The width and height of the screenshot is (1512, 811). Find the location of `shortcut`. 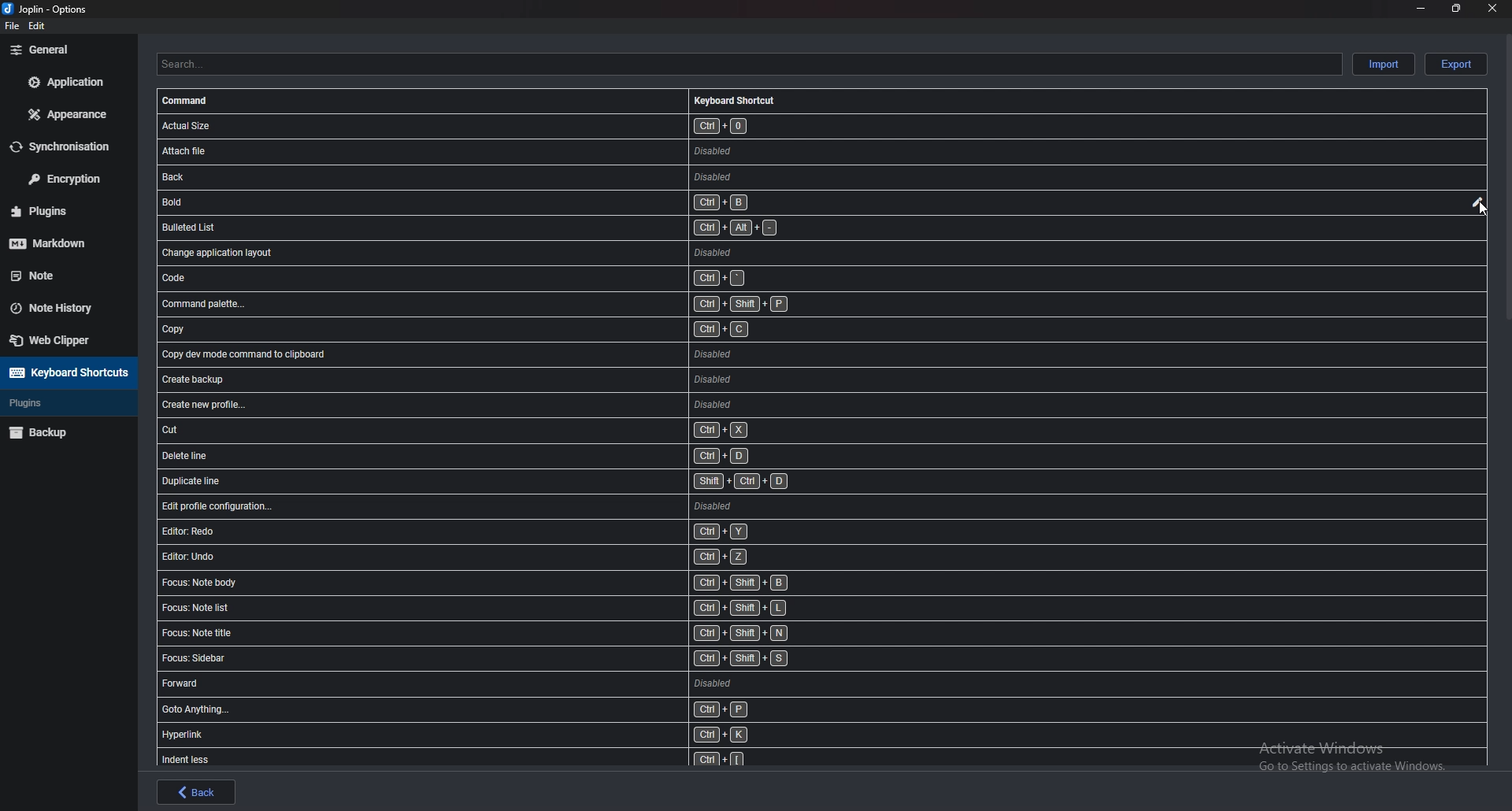

shortcut is located at coordinates (518, 635).